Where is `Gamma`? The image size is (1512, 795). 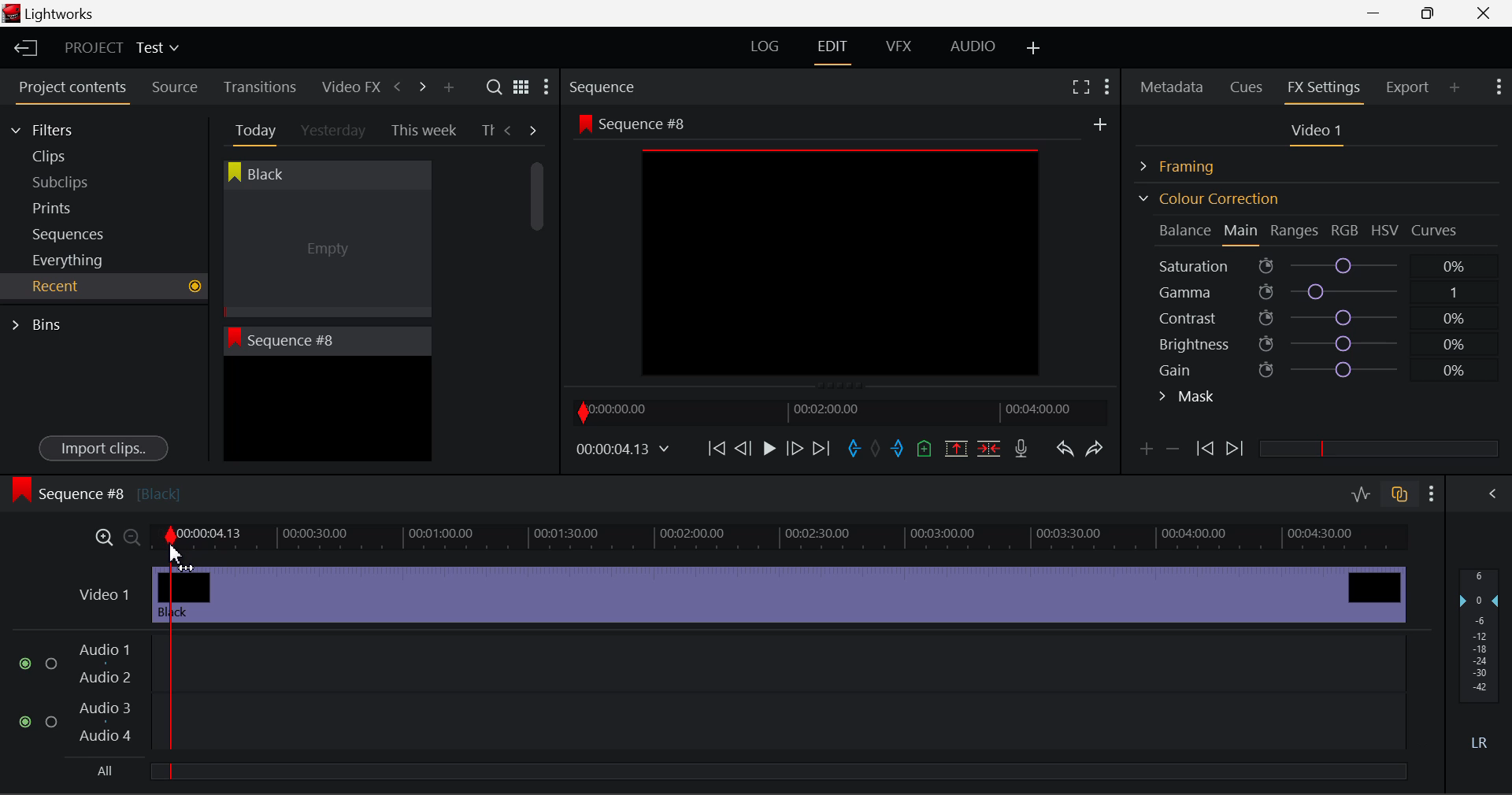
Gamma is located at coordinates (1320, 292).